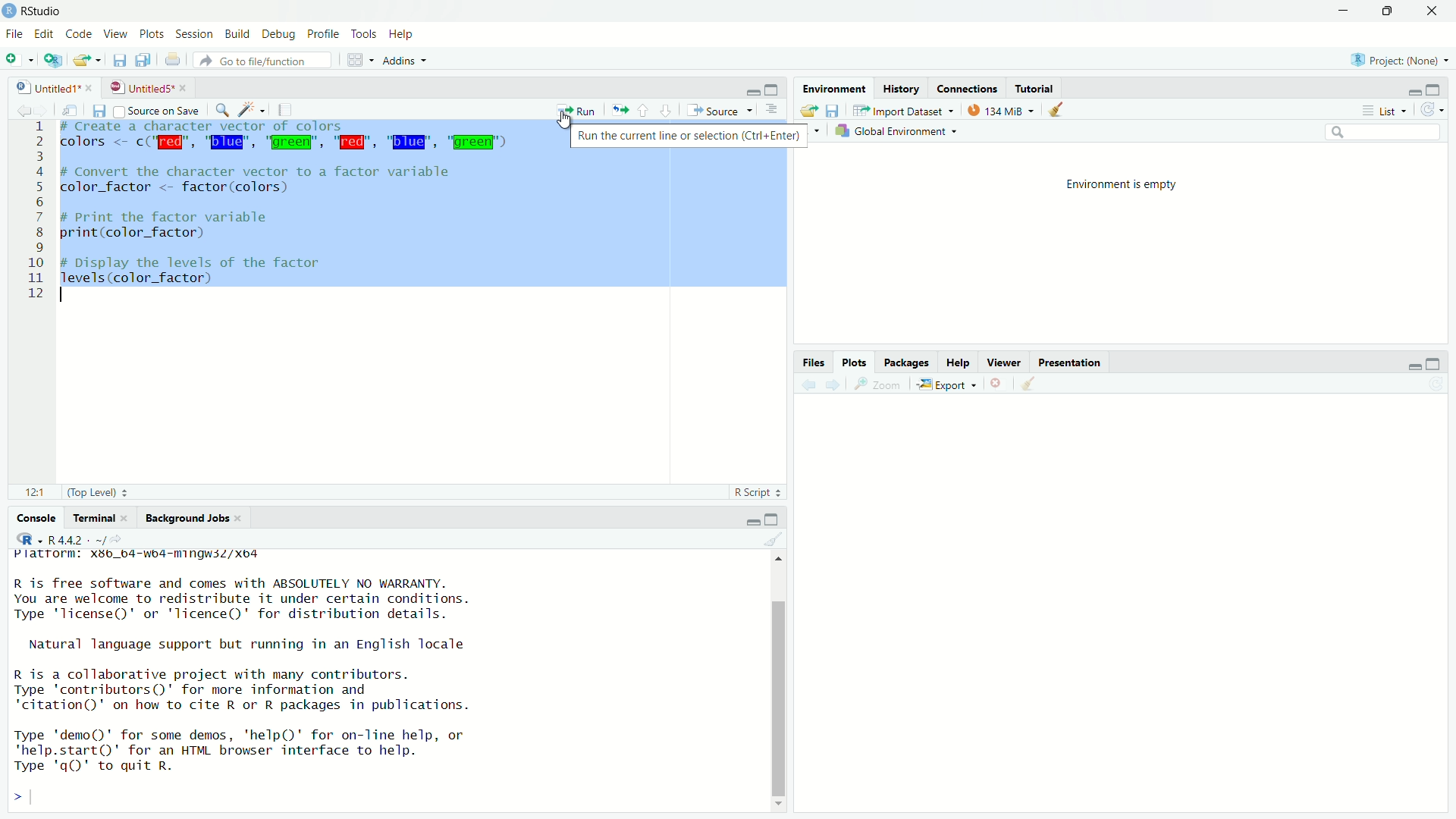  Describe the element at coordinates (30, 492) in the screenshot. I see `12:1` at that location.